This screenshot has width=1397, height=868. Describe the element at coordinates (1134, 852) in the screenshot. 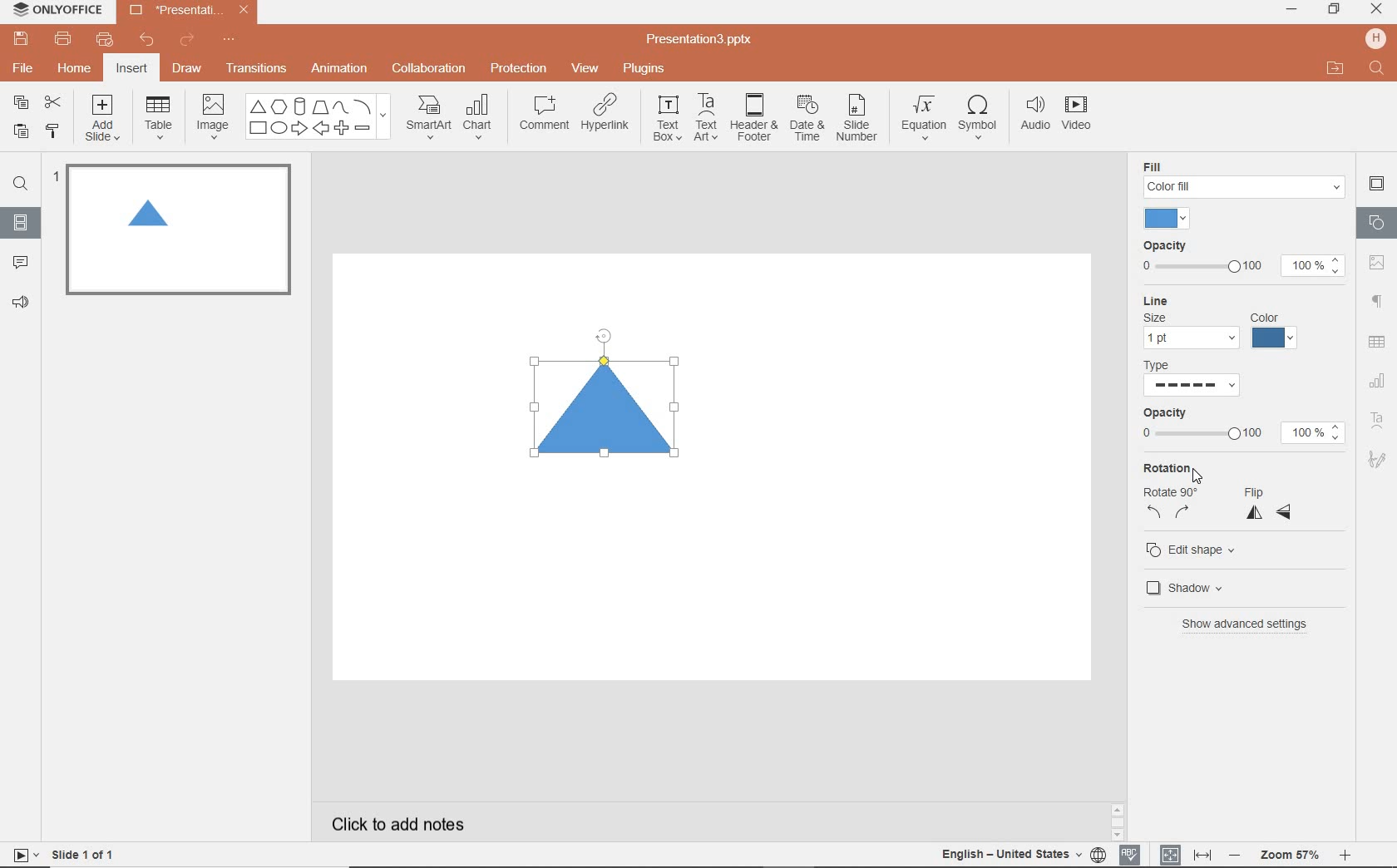

I see `SPELL CHECKING` at that location.